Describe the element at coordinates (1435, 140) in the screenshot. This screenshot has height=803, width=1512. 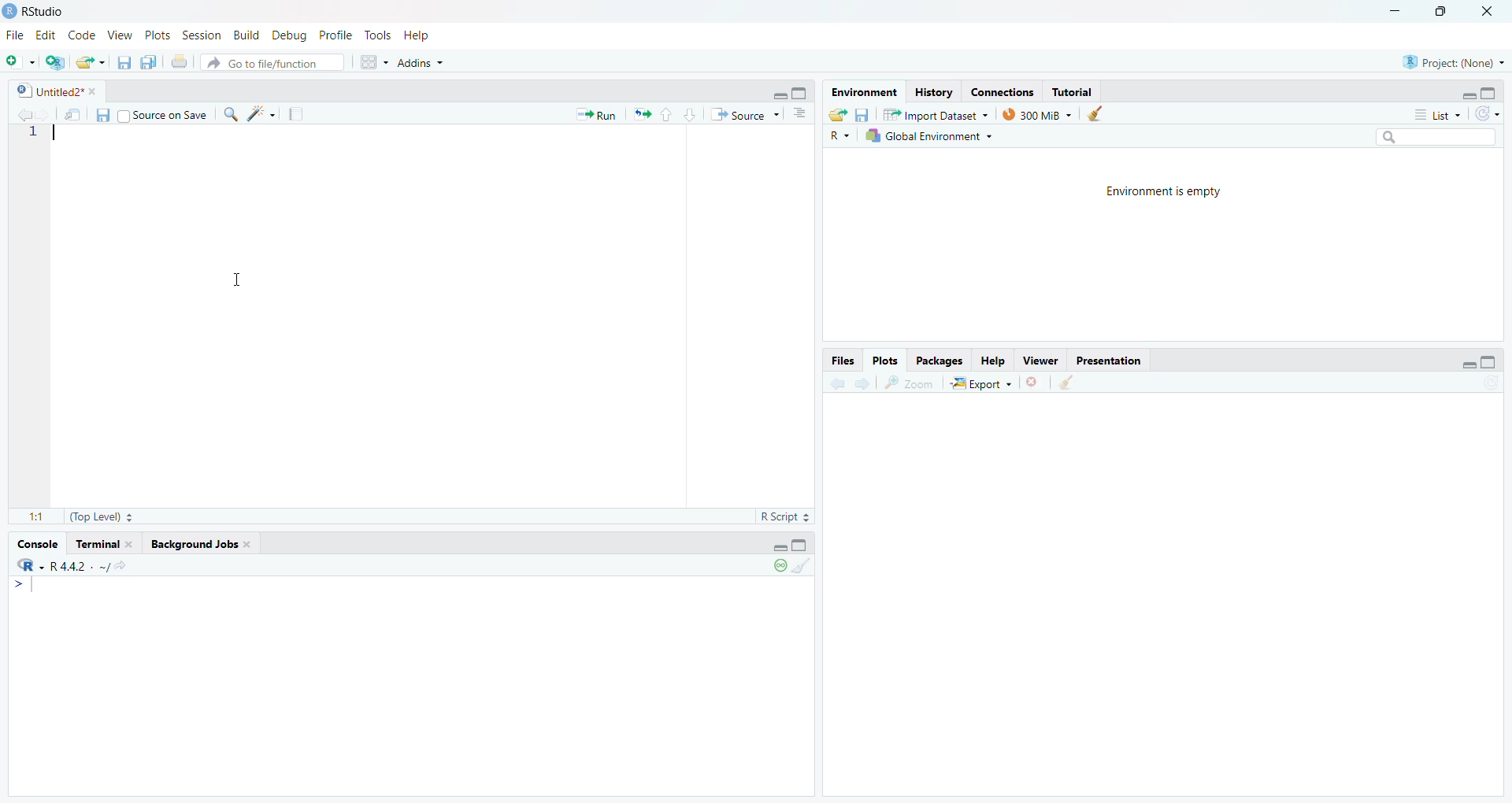
I see `search bar` at that location.